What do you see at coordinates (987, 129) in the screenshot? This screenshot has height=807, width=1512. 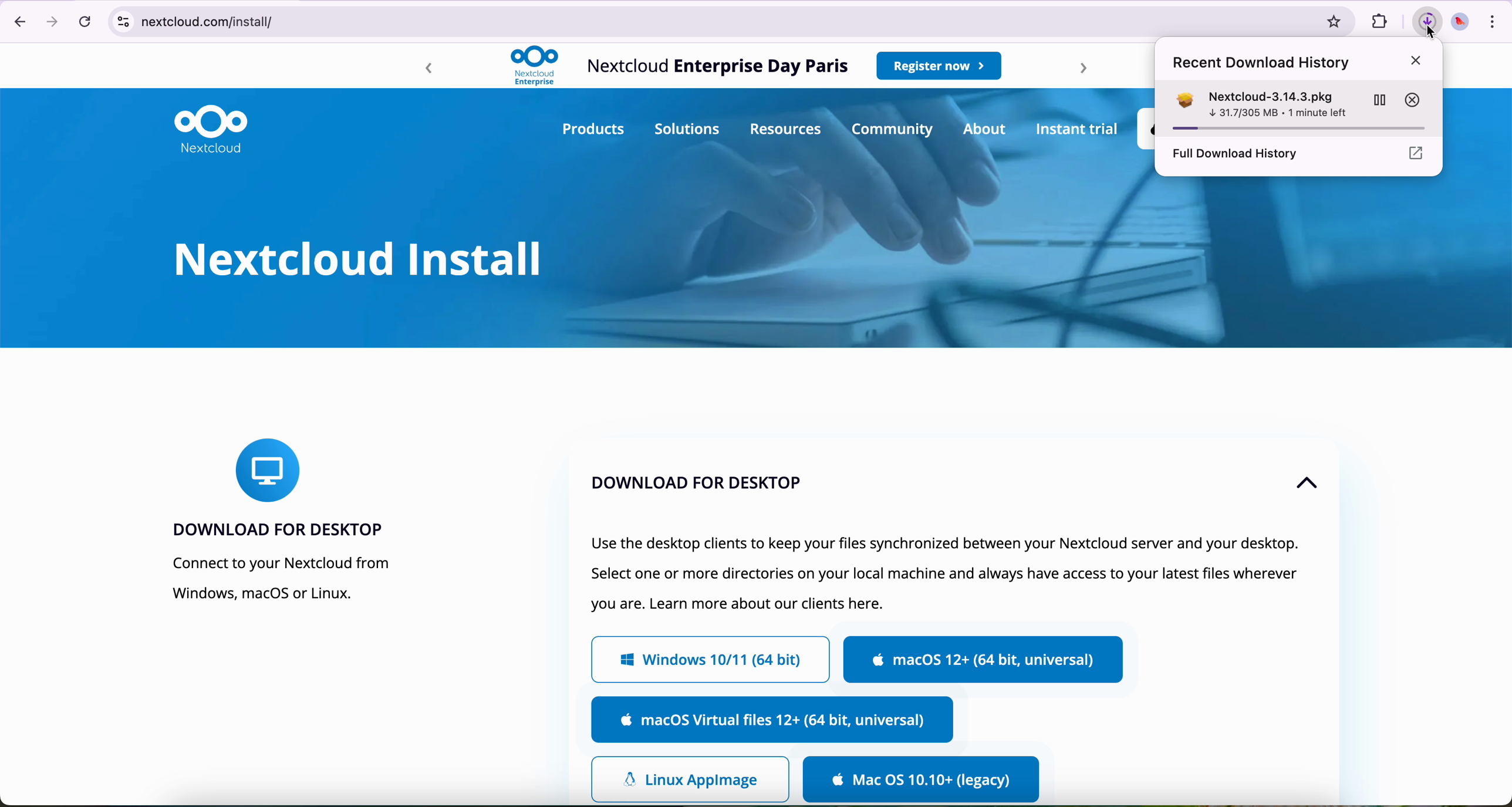 I see `about` at bounding box center [987, 129].